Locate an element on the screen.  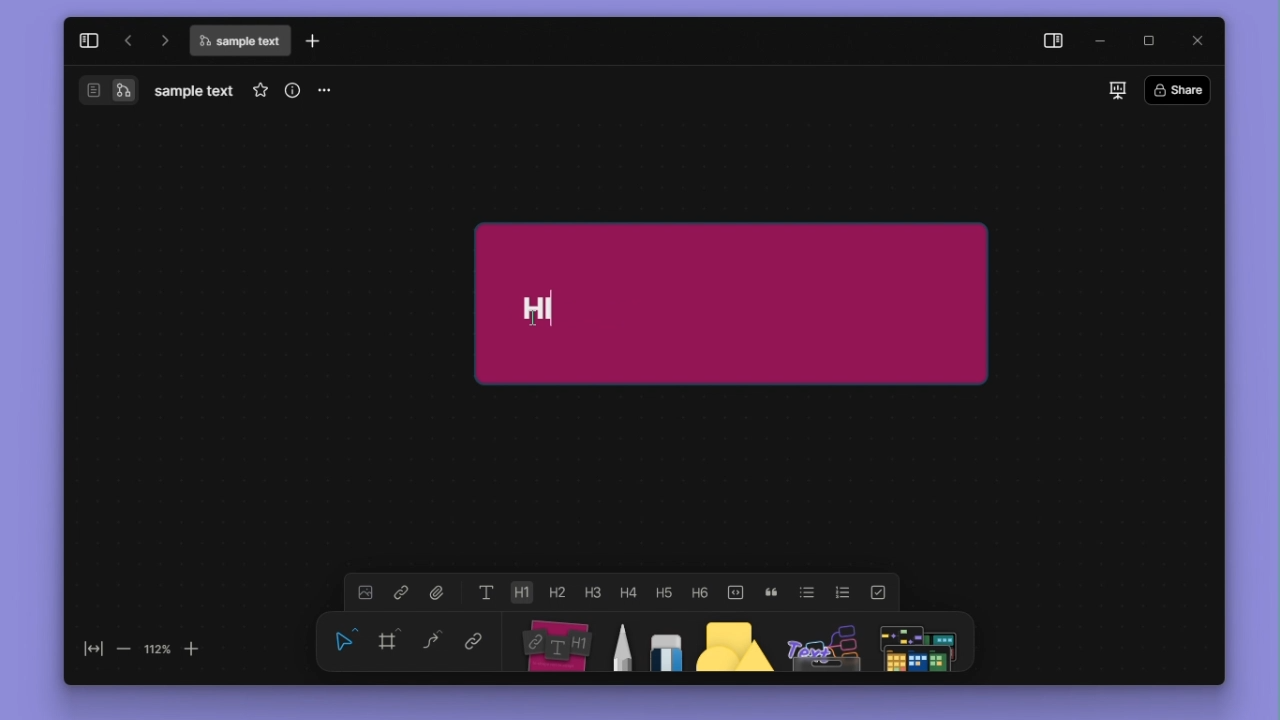
maximize is located at coordinates (1148, 41).